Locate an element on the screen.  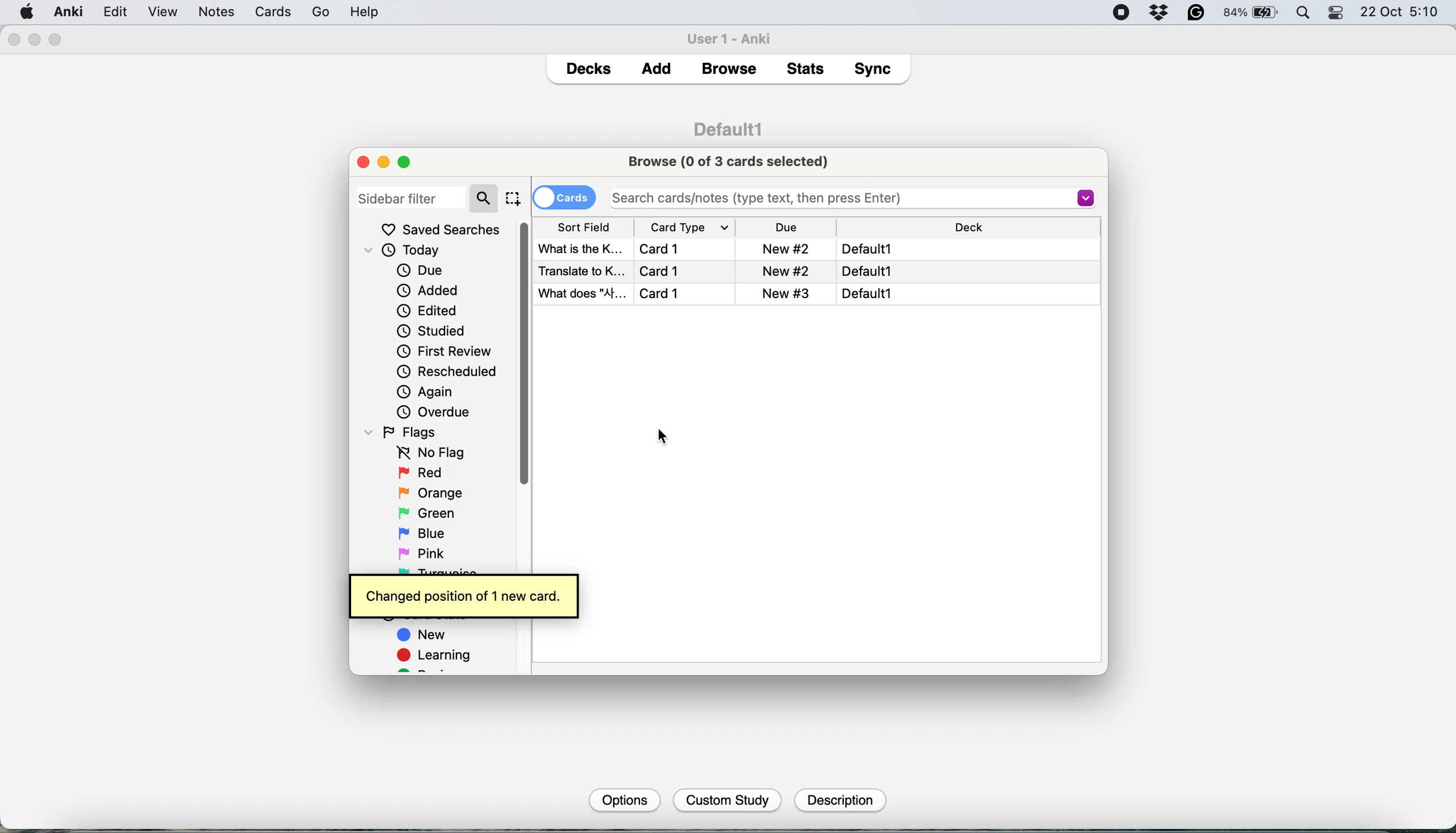
tools is located at coordinates (253, 11).